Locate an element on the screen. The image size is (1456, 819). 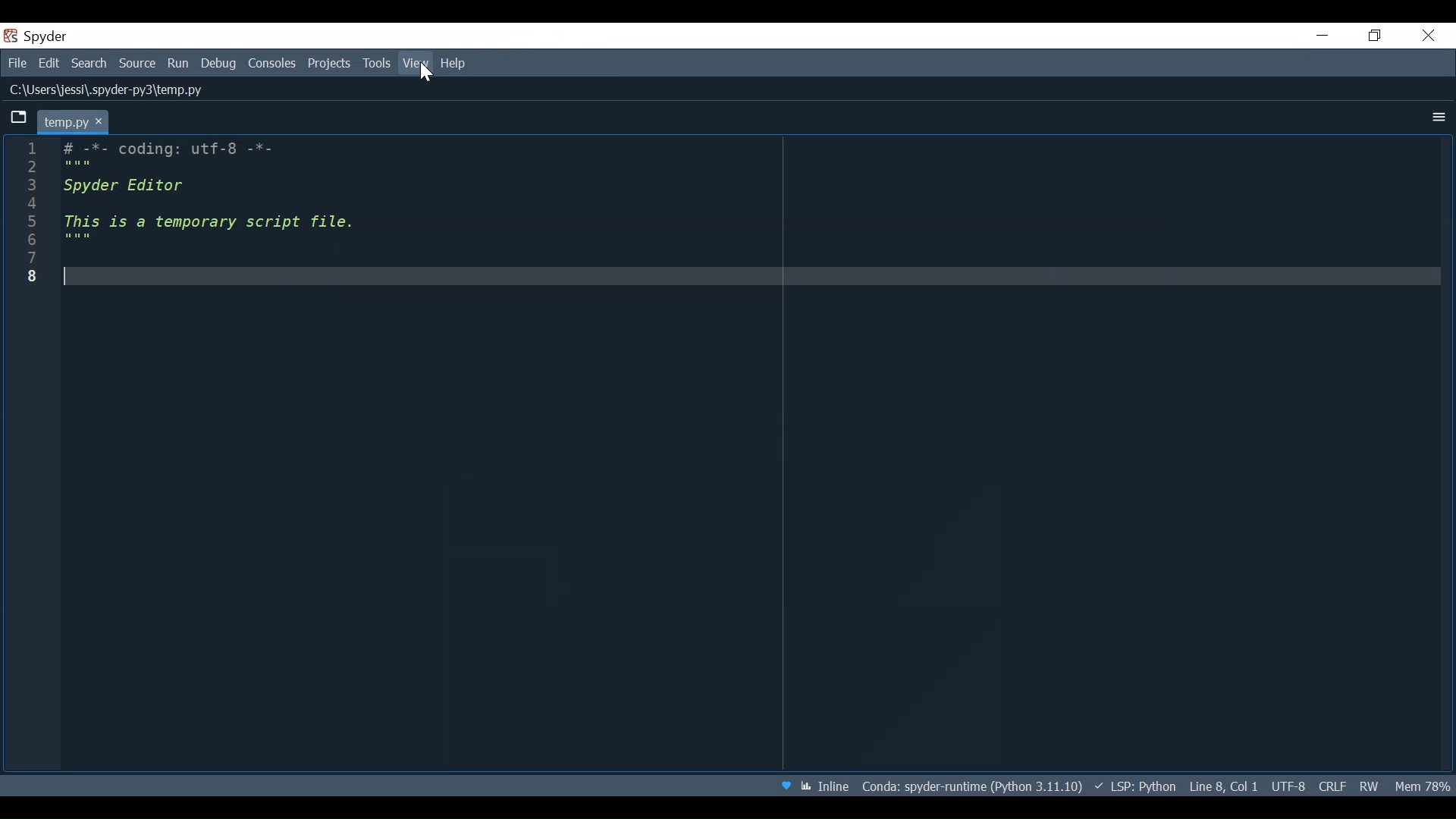
Search is located at coordinates (89, 64).